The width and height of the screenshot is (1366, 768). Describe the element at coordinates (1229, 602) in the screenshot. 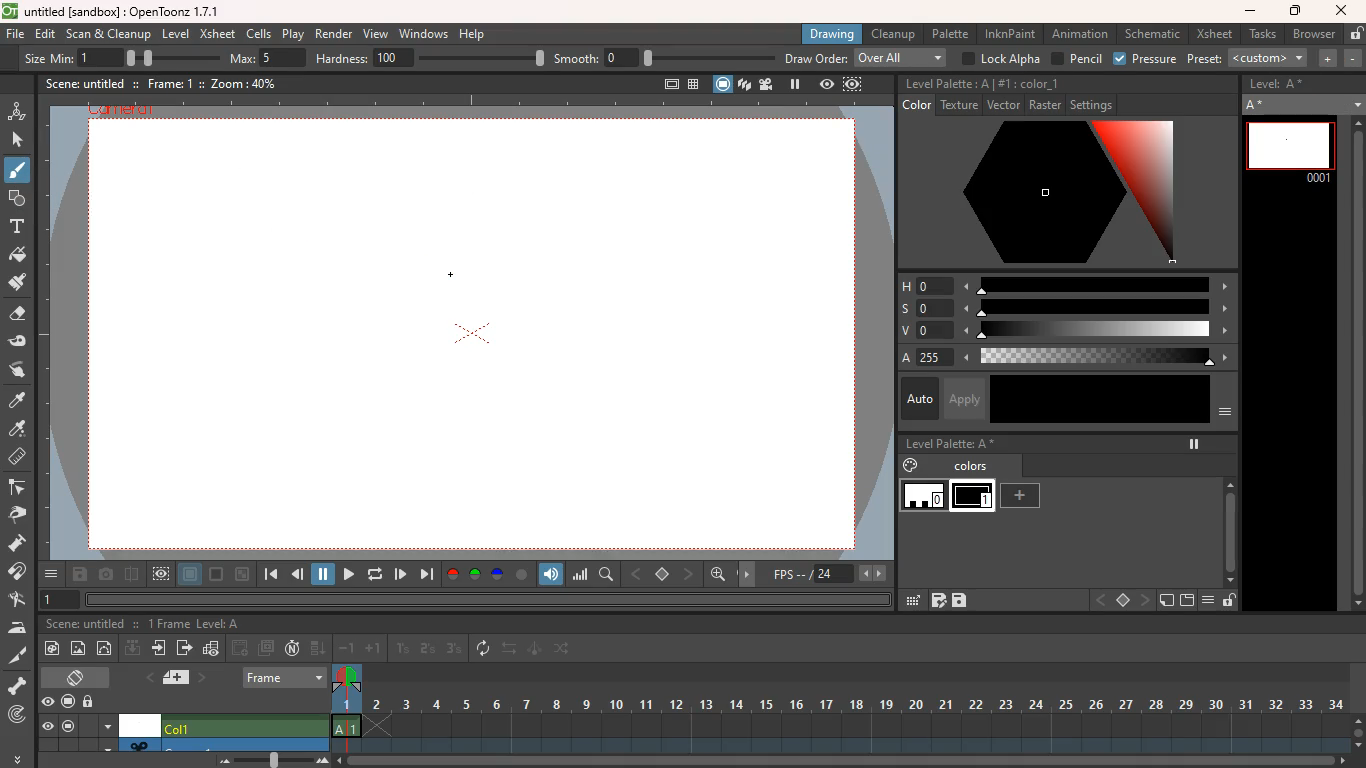

I see `unlock` at that location.